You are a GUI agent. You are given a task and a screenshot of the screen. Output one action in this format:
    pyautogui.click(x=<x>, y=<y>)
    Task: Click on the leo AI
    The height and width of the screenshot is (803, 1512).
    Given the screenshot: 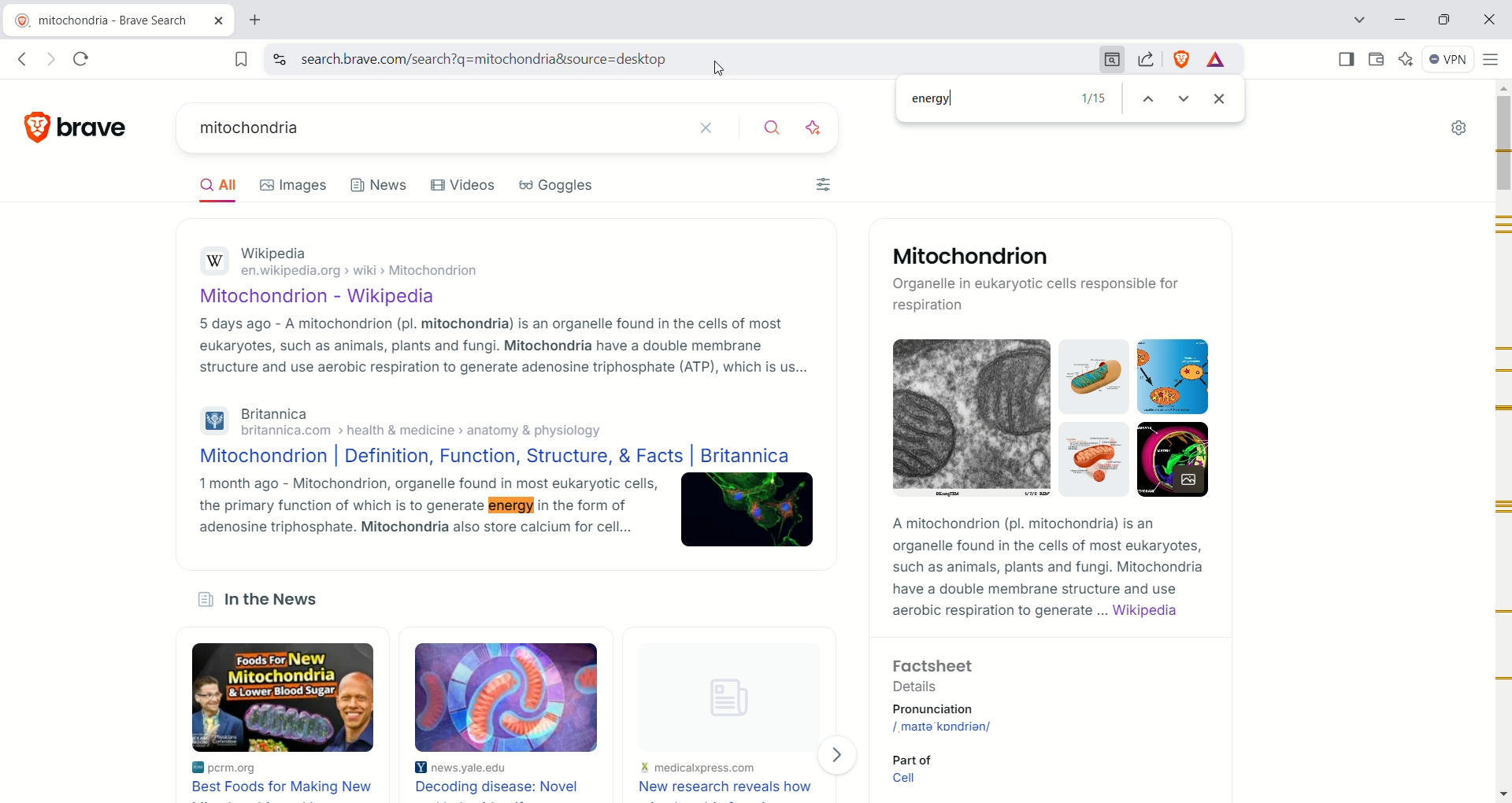 What is the action you would take?
    pyautogui.click(x=1406, y=61)
    